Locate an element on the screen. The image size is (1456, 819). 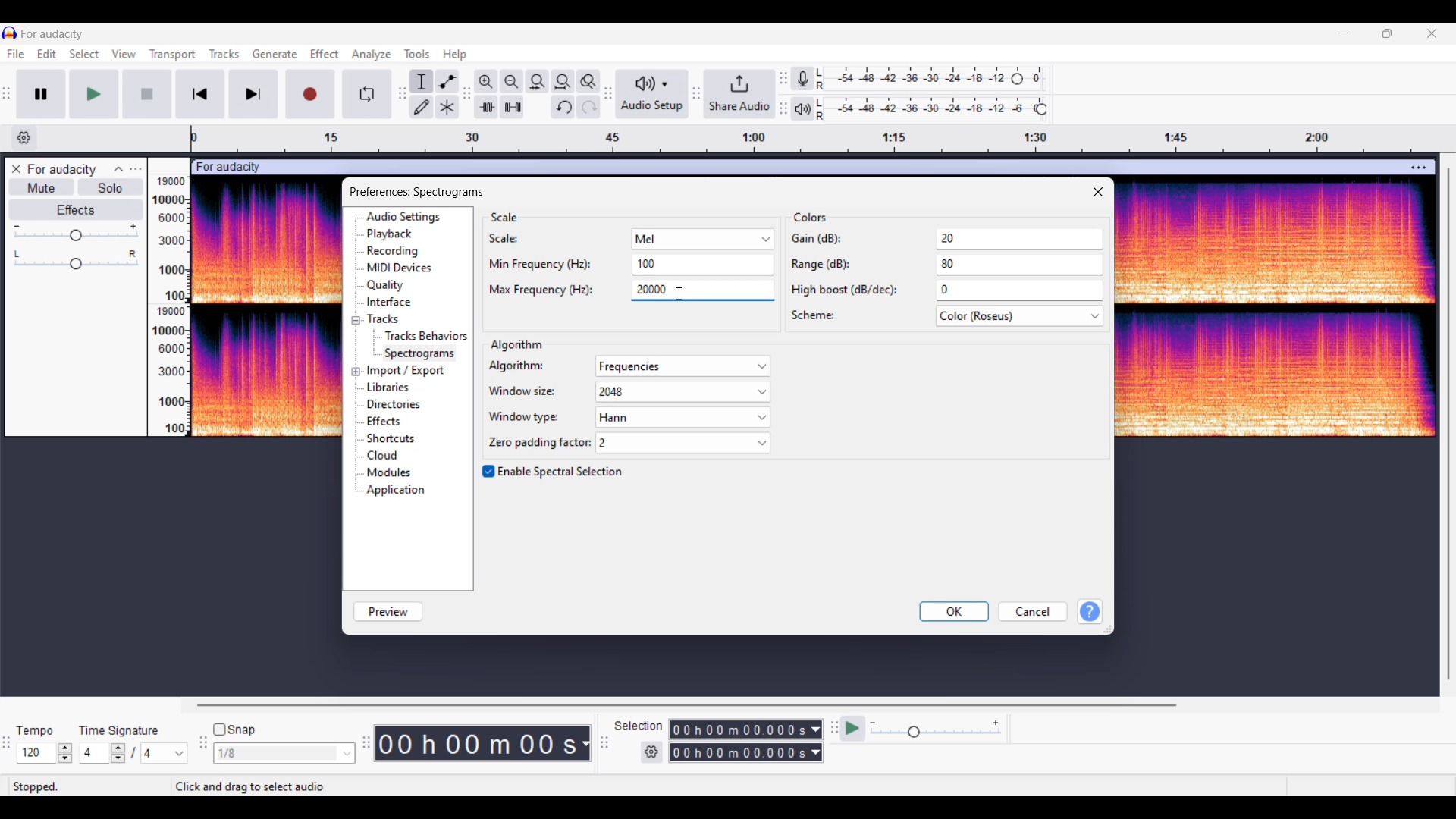
Draw tool is located at coordinates (422, 107).